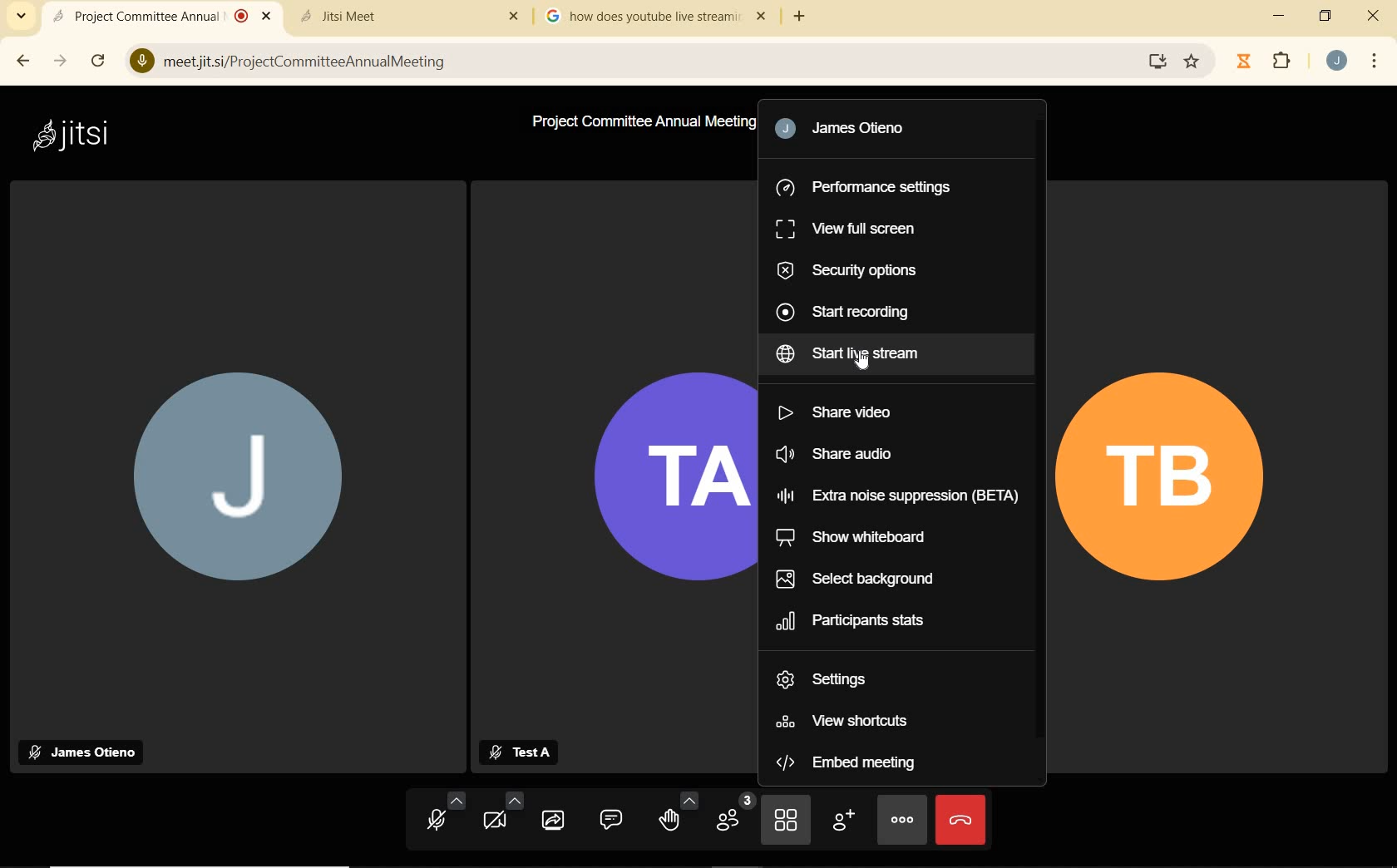 Image resolution: width=1397 pixels, height=868 pixels. Describe the element at coordinates (677, 816) in the screenshot. I see `raise hand` at that location.